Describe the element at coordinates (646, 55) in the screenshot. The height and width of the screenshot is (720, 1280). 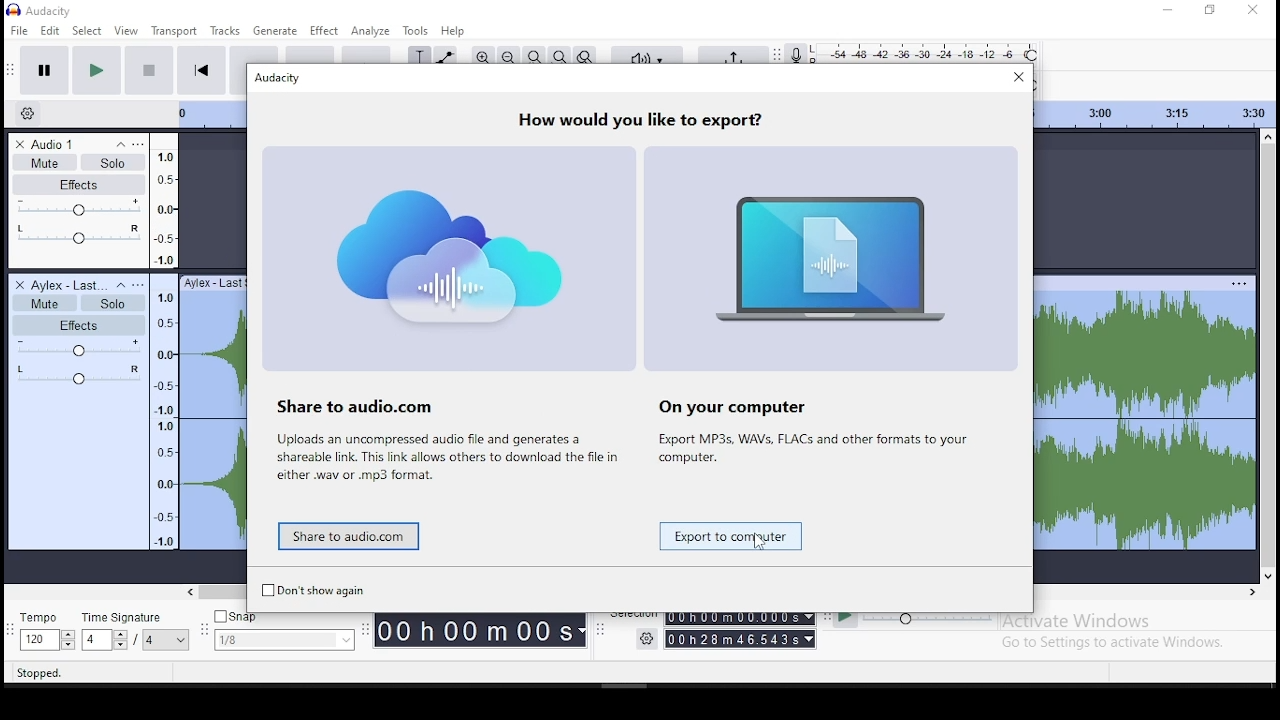
I see `audio setup` at that location.